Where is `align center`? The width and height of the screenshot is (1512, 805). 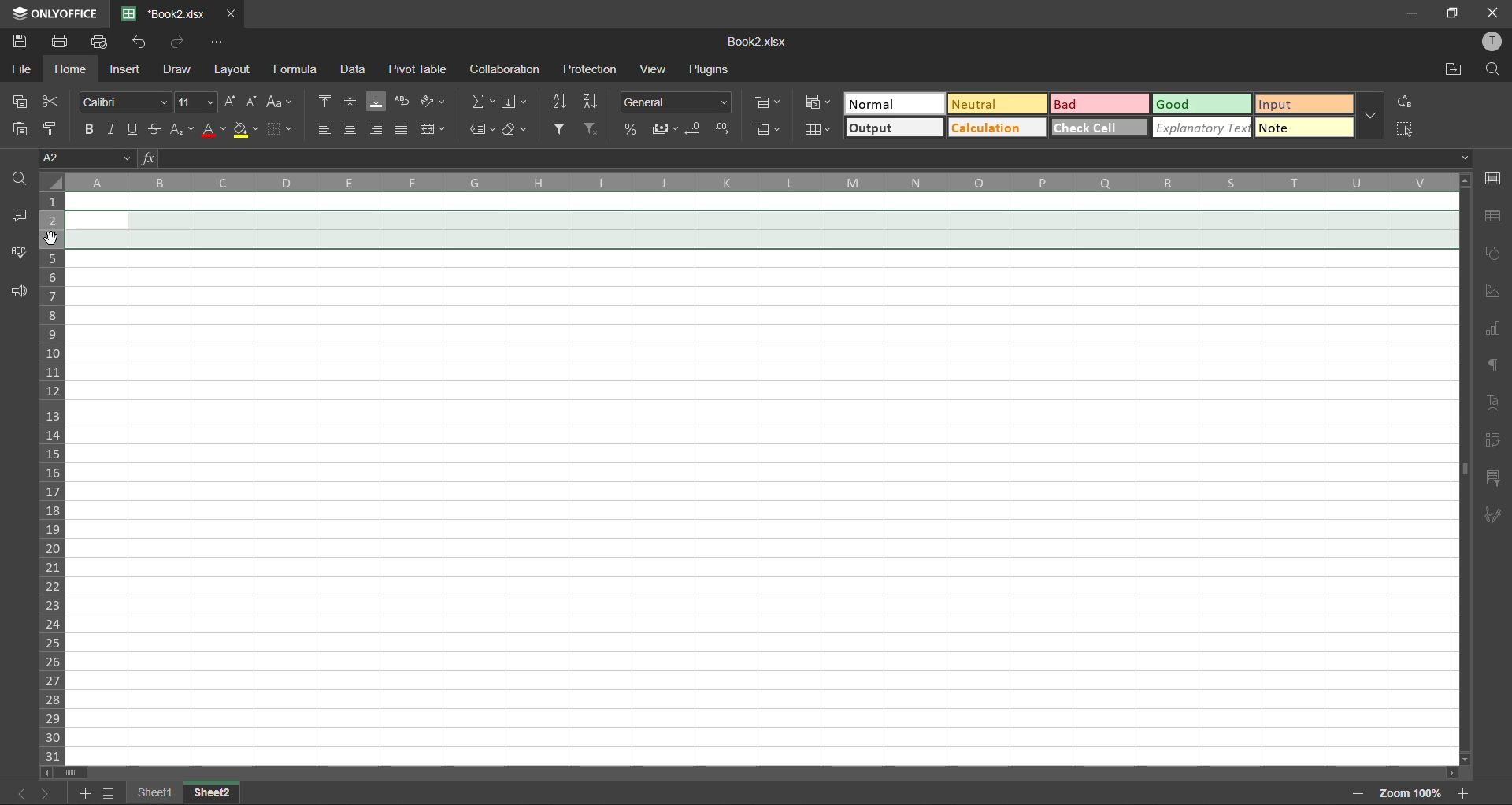
align center is located at coordinates (352, 129).